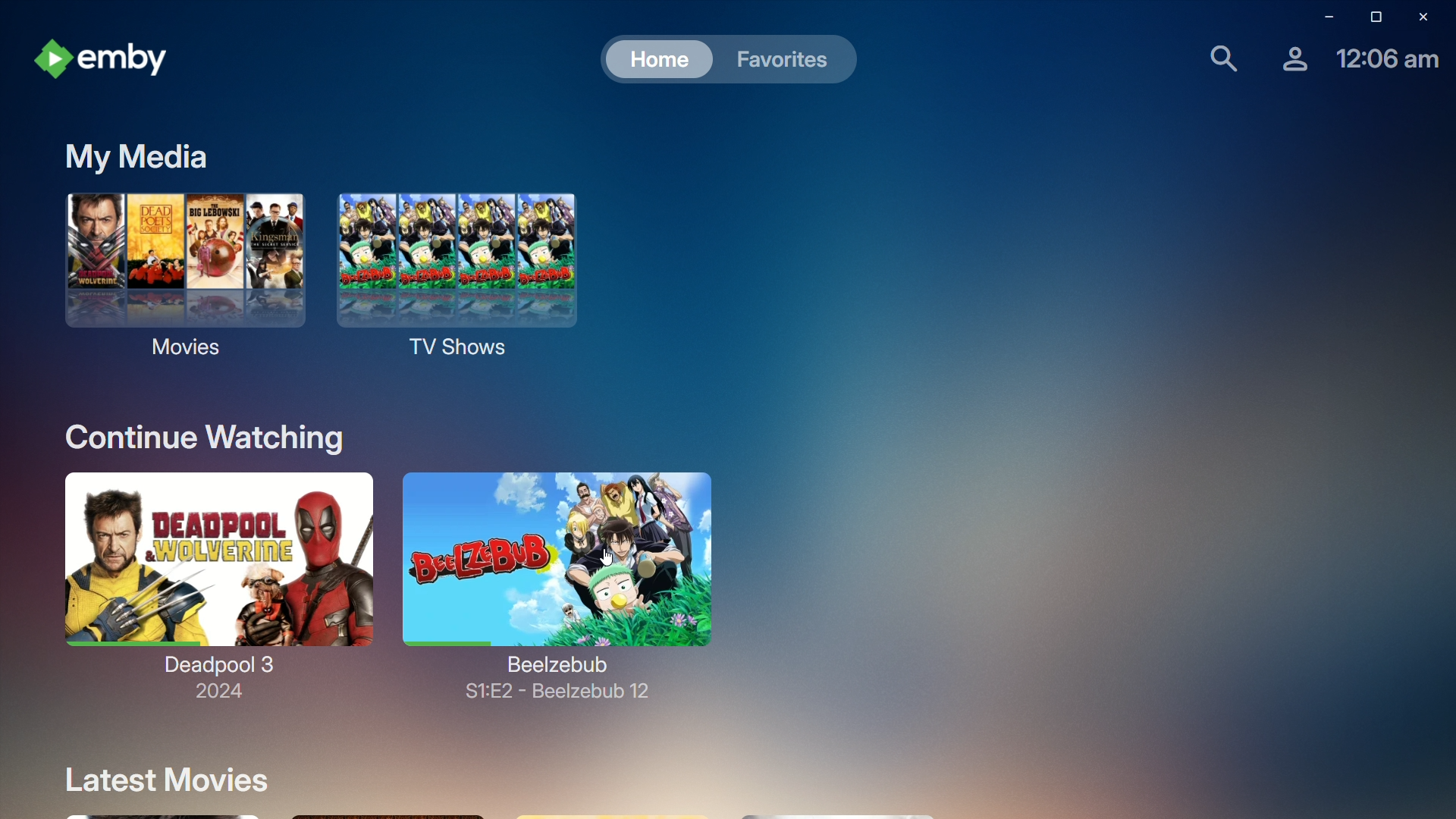  What do you see at coordinates (563, 691) in the screenshot?
I see `S1:E2 - Beelzebub 12` at bounding box center [563, 691].